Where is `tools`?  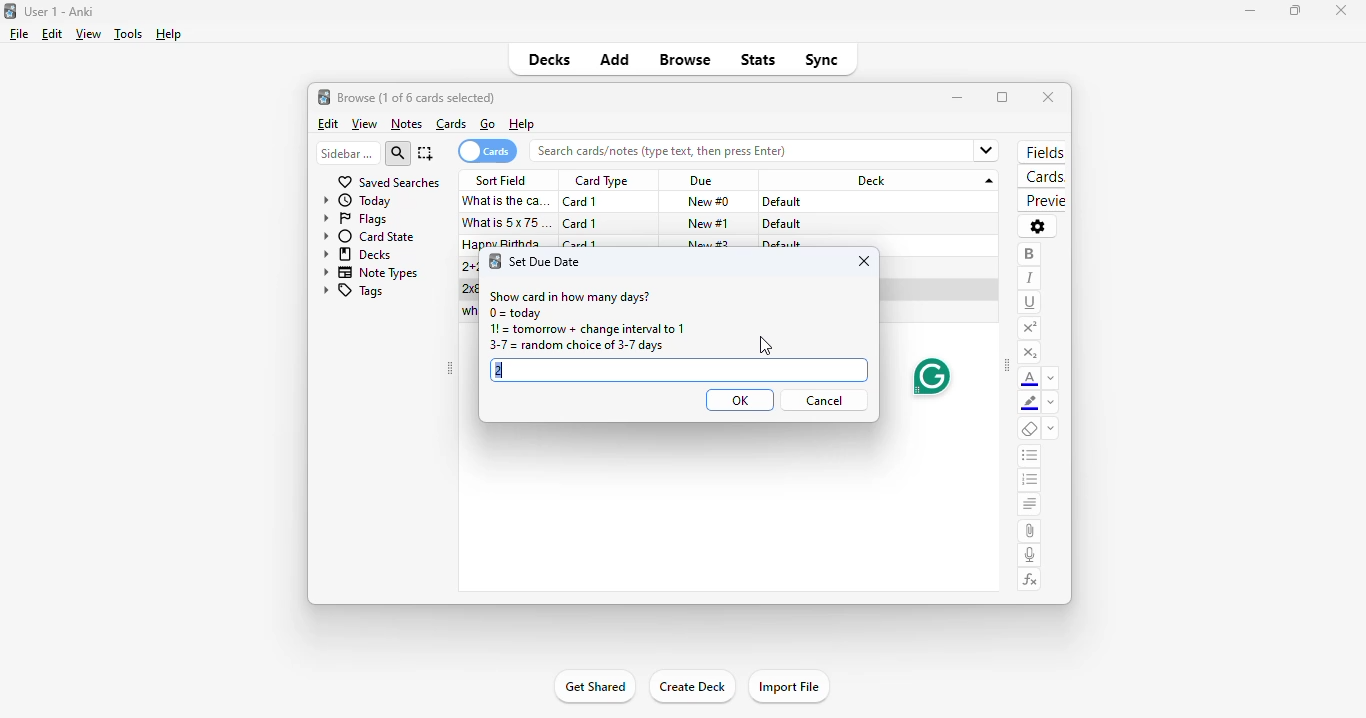
tools is located at coordinates (127, 35).